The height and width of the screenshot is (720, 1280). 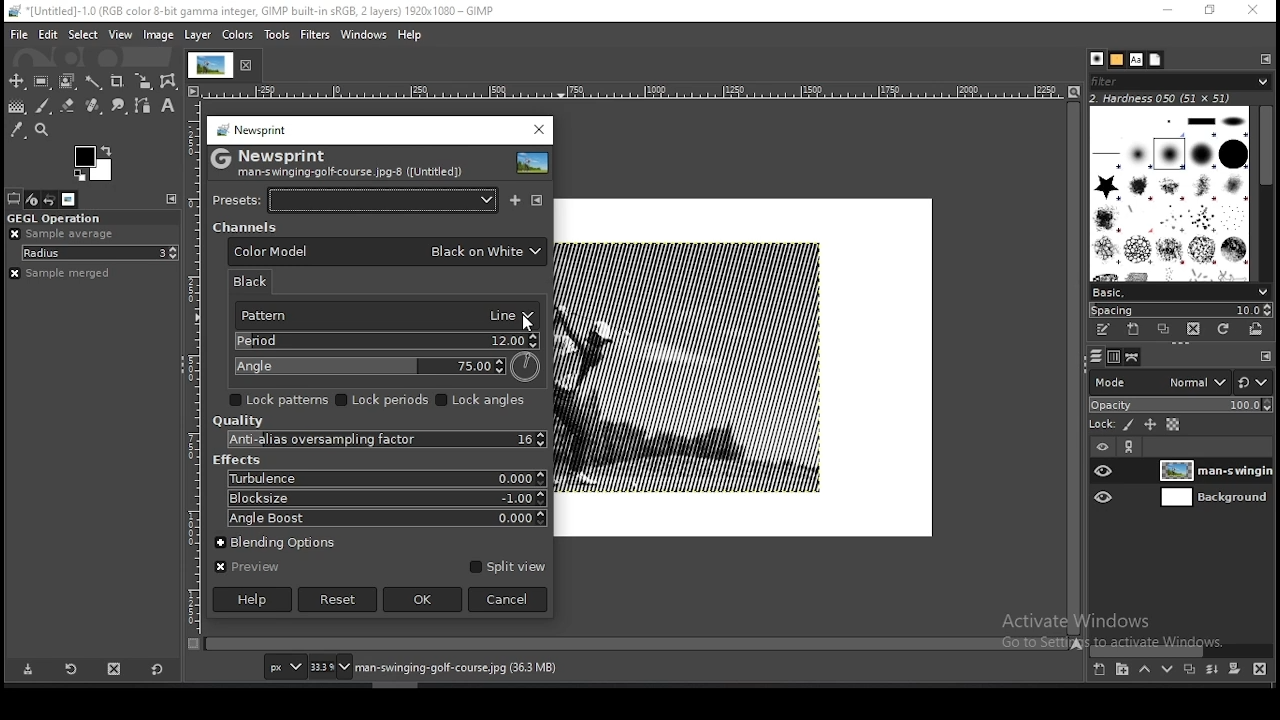 I want to click on GEGL operation, so click(x=58, y=217).